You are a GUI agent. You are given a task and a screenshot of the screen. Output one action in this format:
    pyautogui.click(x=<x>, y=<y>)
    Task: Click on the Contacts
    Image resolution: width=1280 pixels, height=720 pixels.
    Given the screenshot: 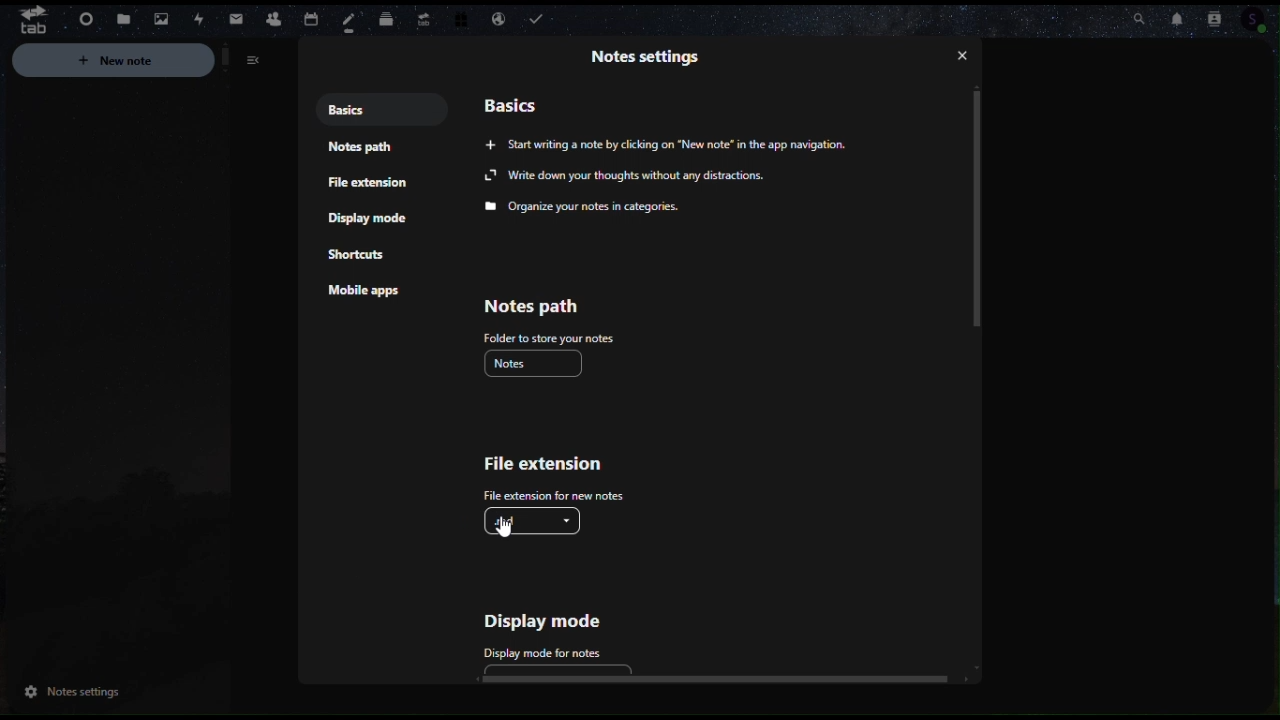 What is the action you would take?
    pyautogui.click(x=1223, y=16)
    